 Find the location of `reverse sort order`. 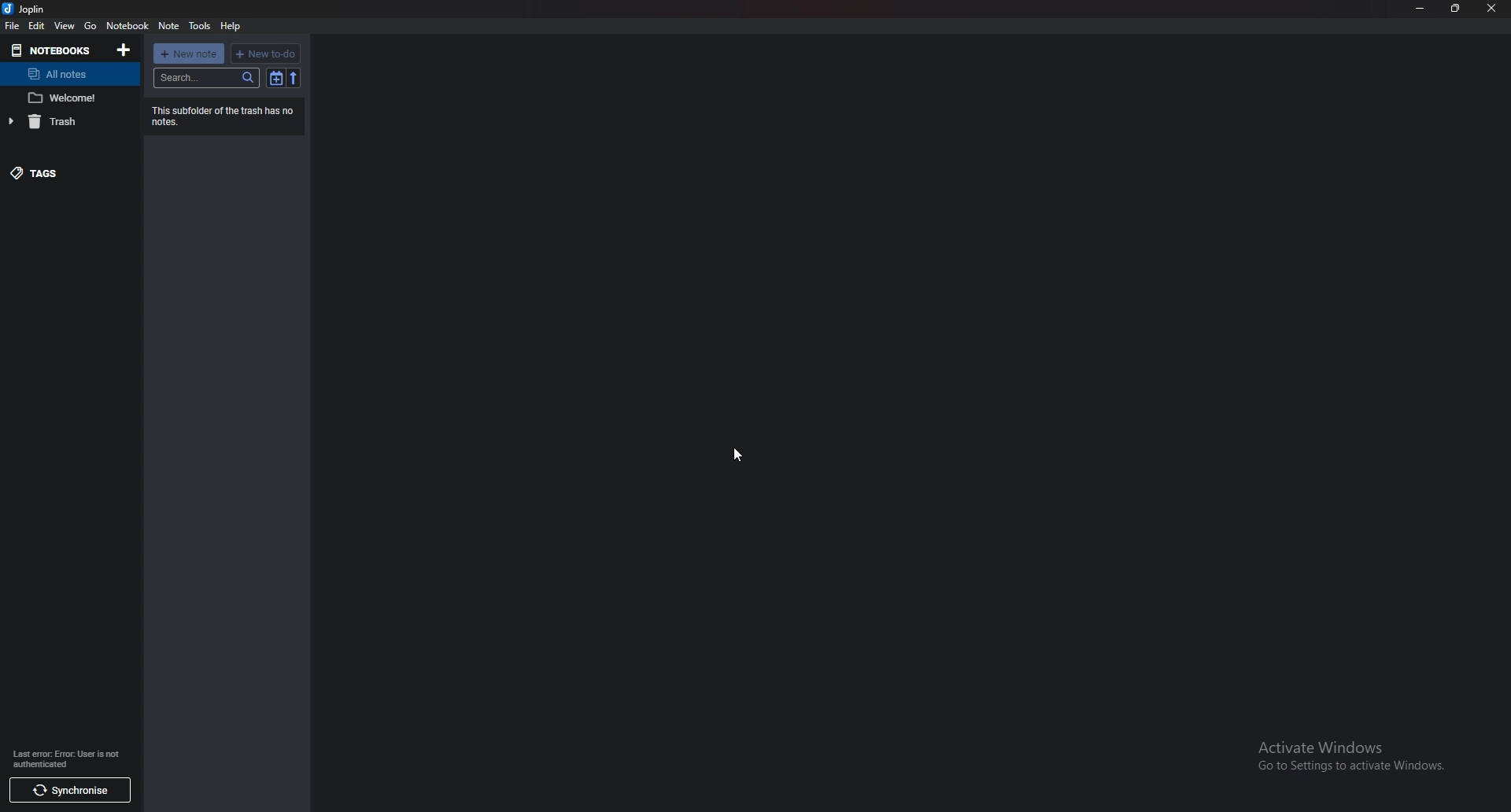

reverse sort order is located at coordinates (295, 79).